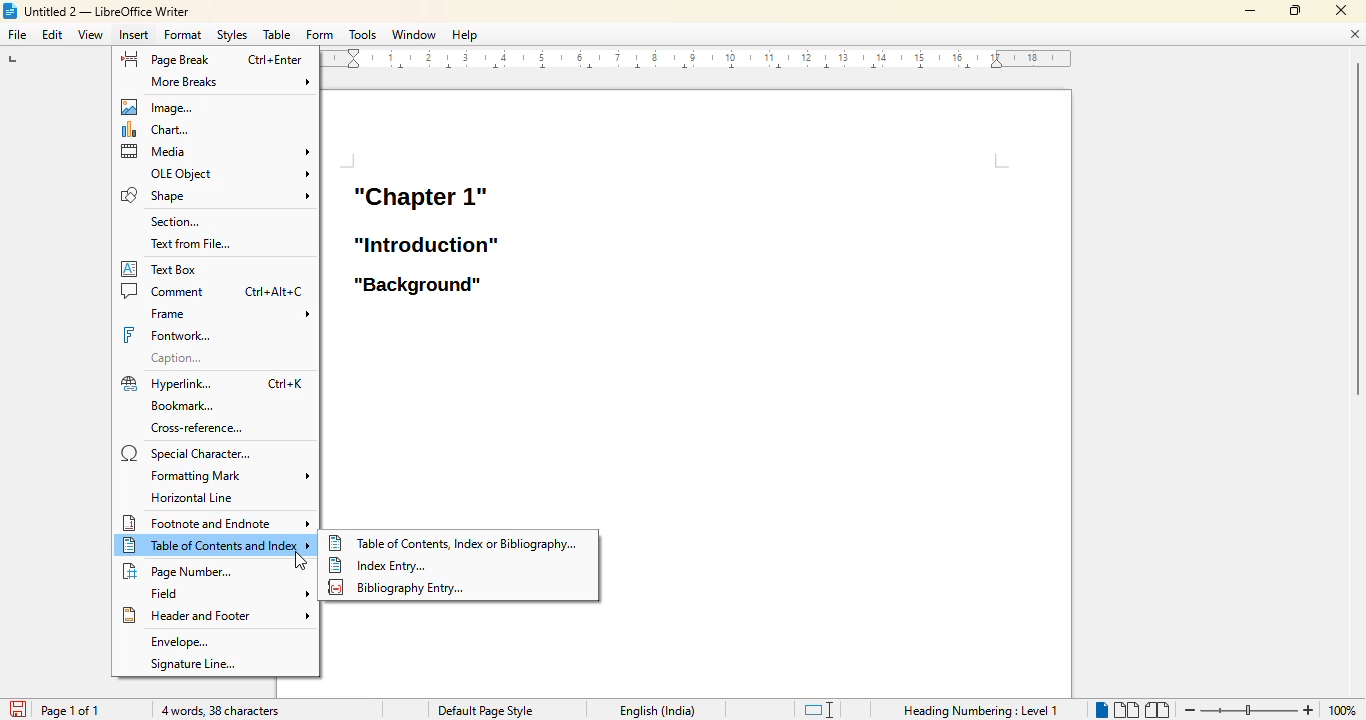 The height and width of the screenshot is (720, 1366). Describe the element at coordinates (415, 34) in the screenshot. I see `window` at that location.